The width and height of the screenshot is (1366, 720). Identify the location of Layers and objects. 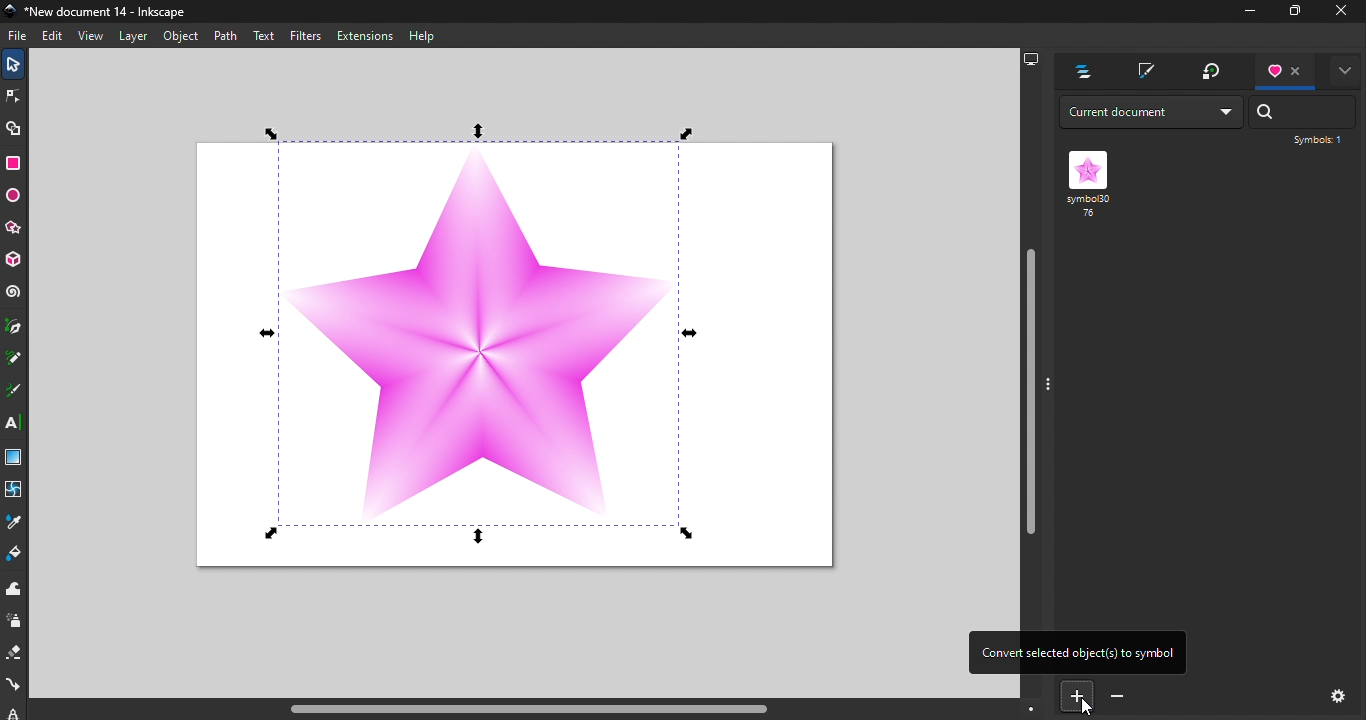
(1077, 71).